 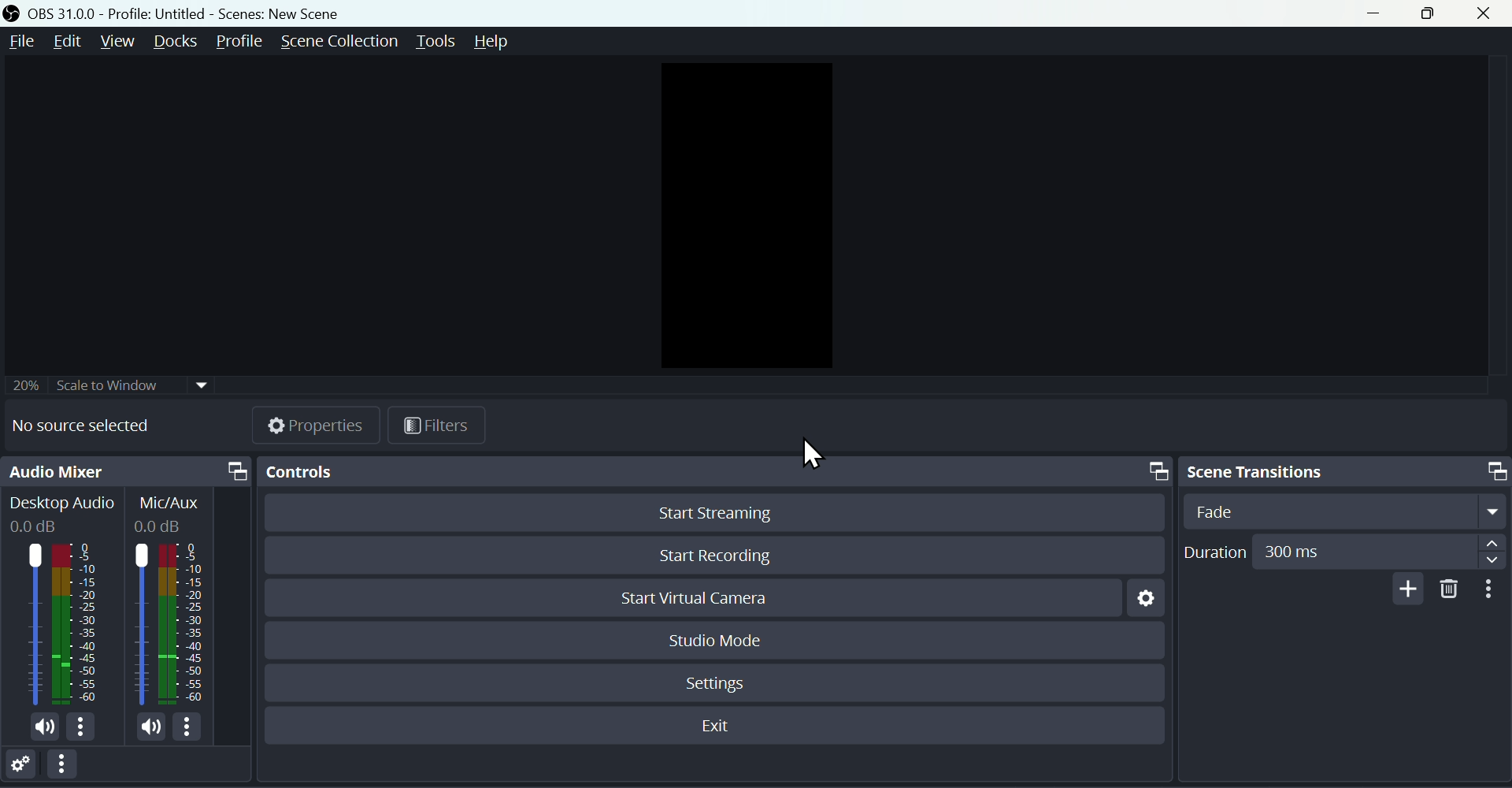 What do you see at coordinates (438, 426) in the screenshot?
I see `Filter` at bounding box center [438, 426].